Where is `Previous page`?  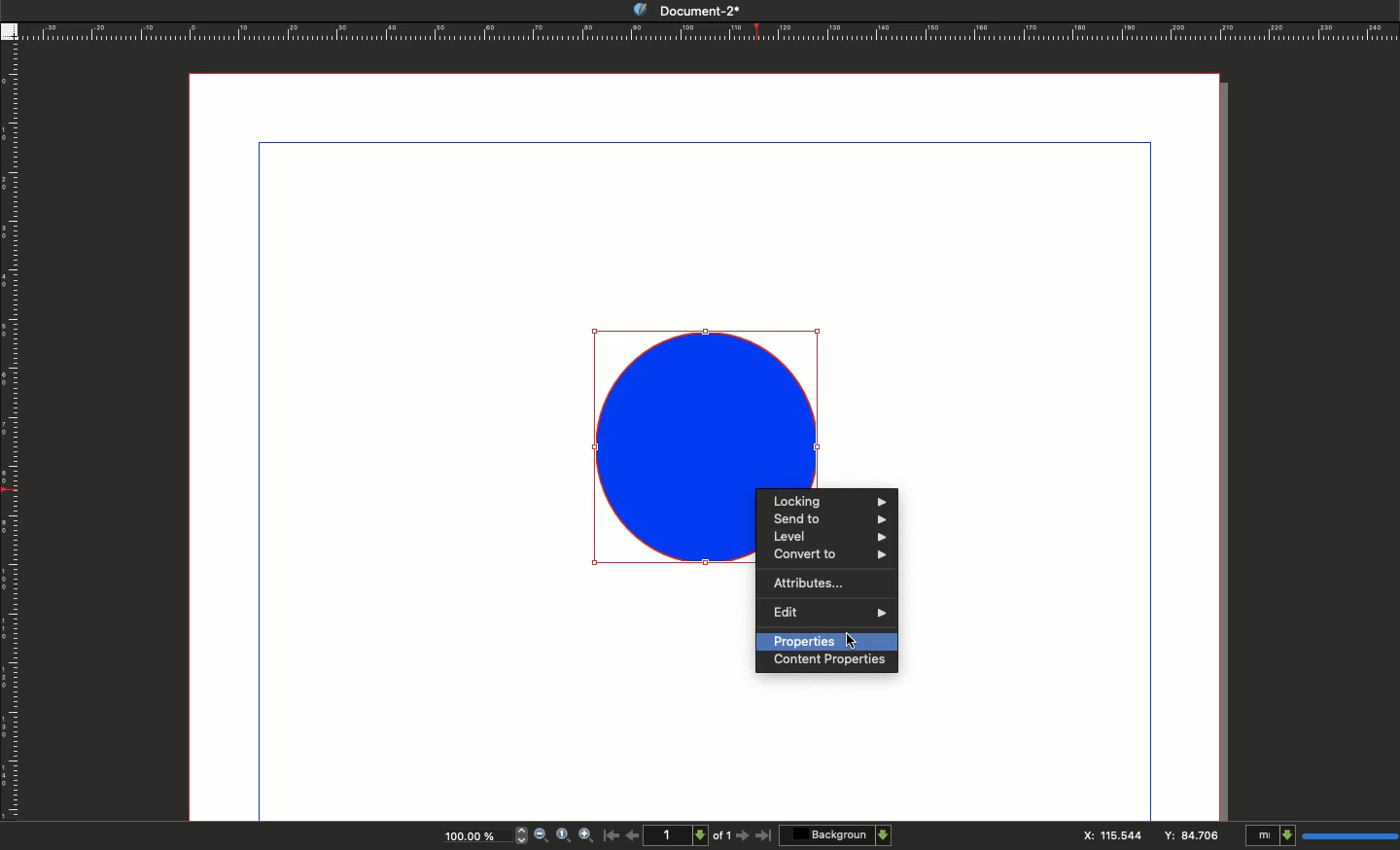 Previous page is located at coordinates (633, 834).